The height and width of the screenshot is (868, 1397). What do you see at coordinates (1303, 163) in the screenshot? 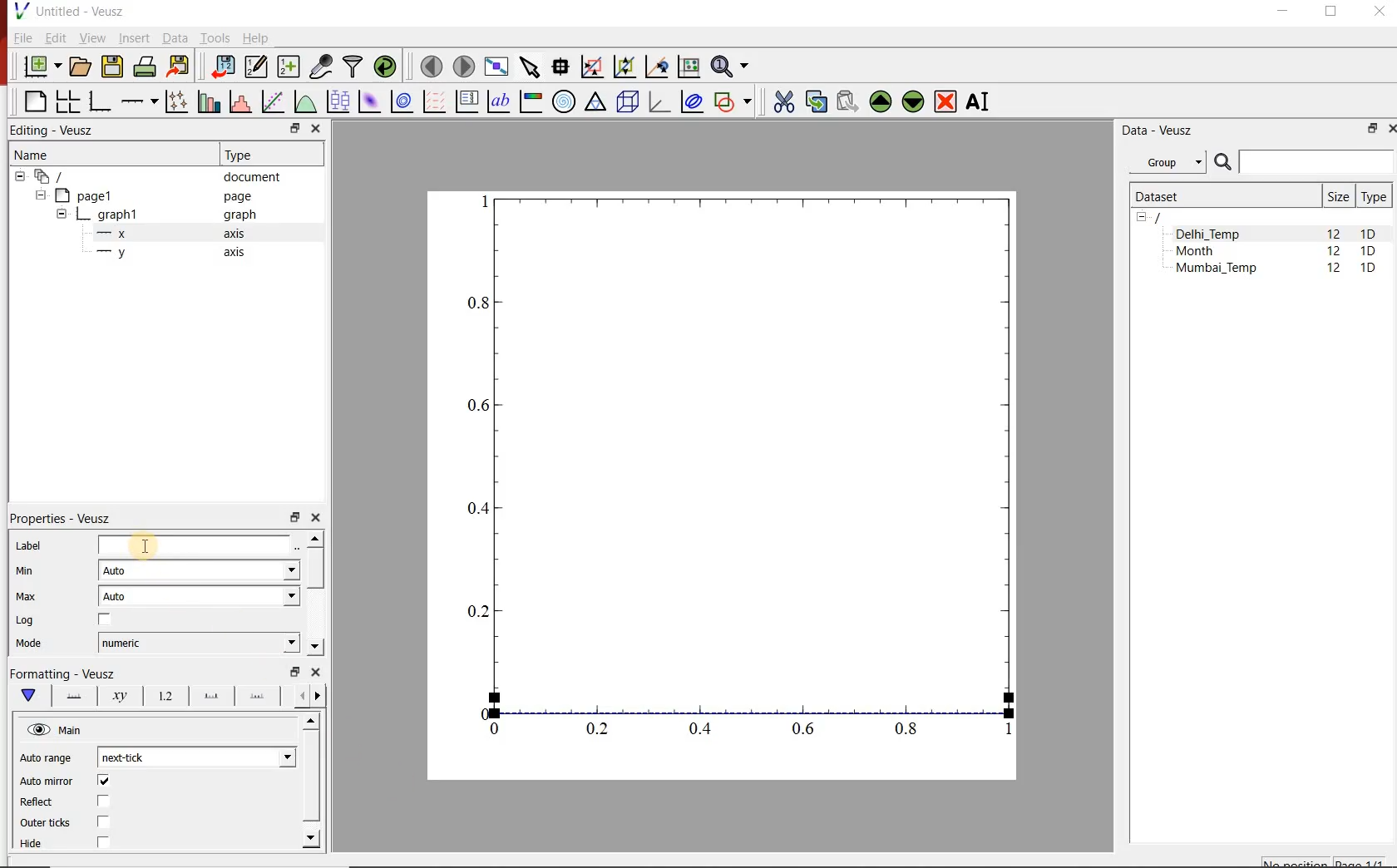
I see `SEARCH DATASETS` at bounding box center [1303, 163].